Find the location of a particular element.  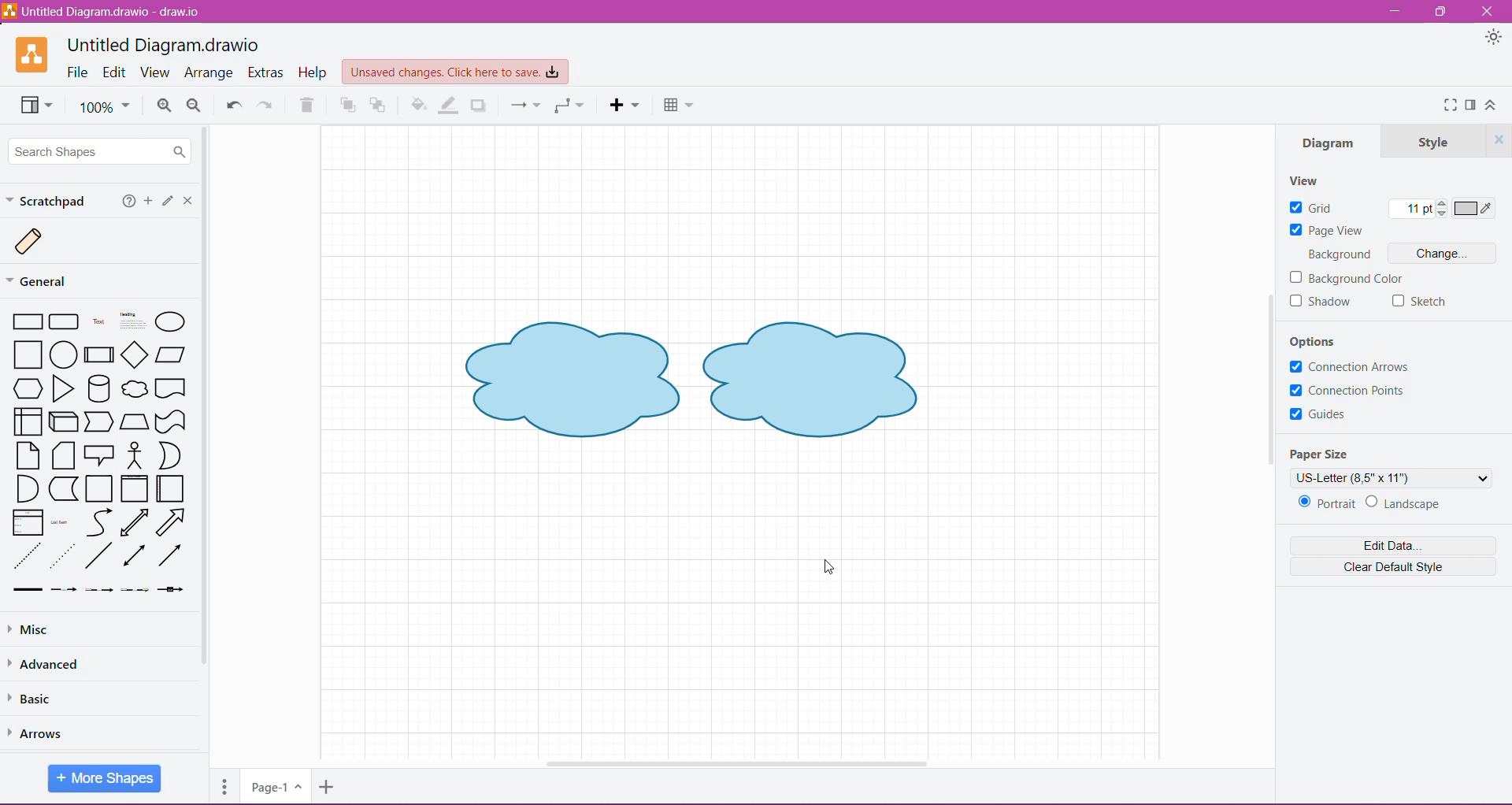

Connection is located at coordinates (524, 106).